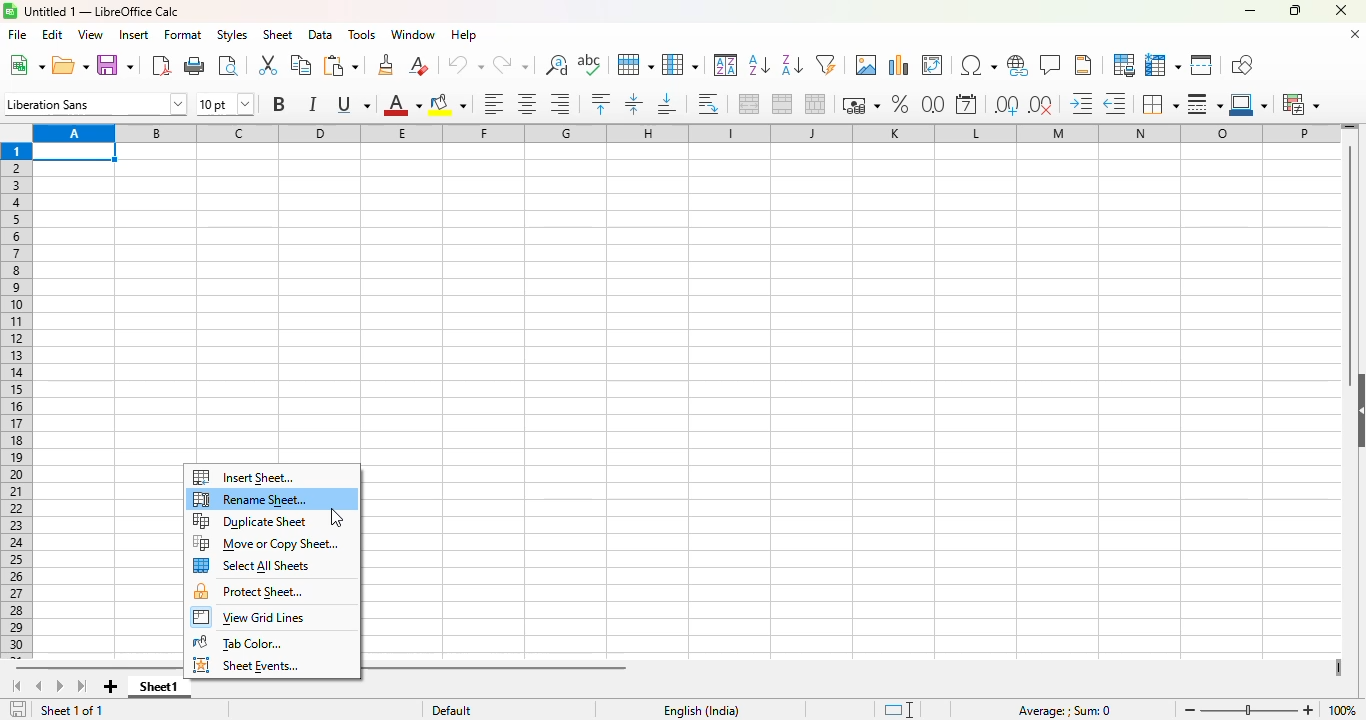 The height and width of the screenshot is (720, 1366). I want to click on edit, so click(53, 34).